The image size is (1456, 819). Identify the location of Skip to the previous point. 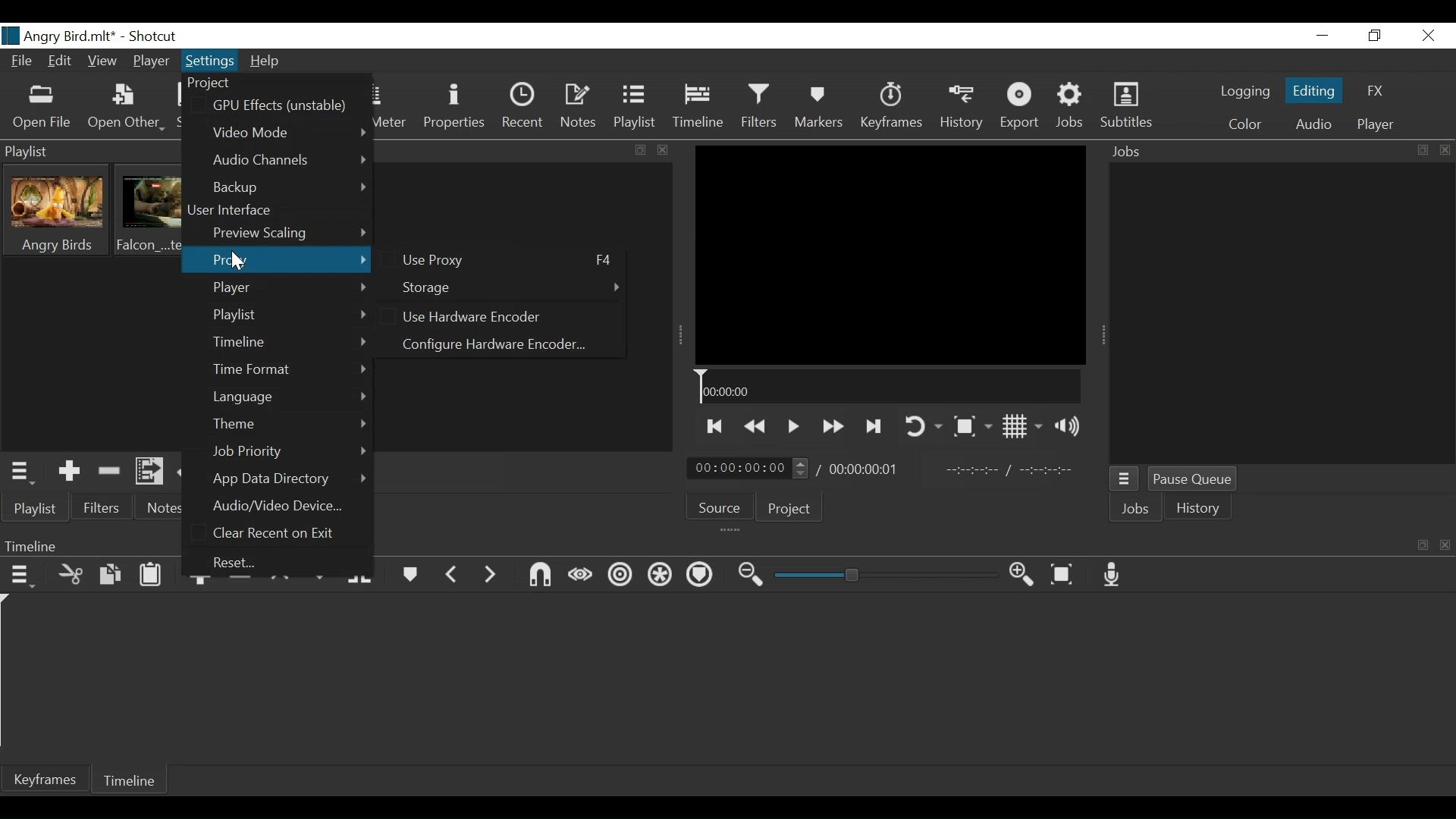
(716, 428).